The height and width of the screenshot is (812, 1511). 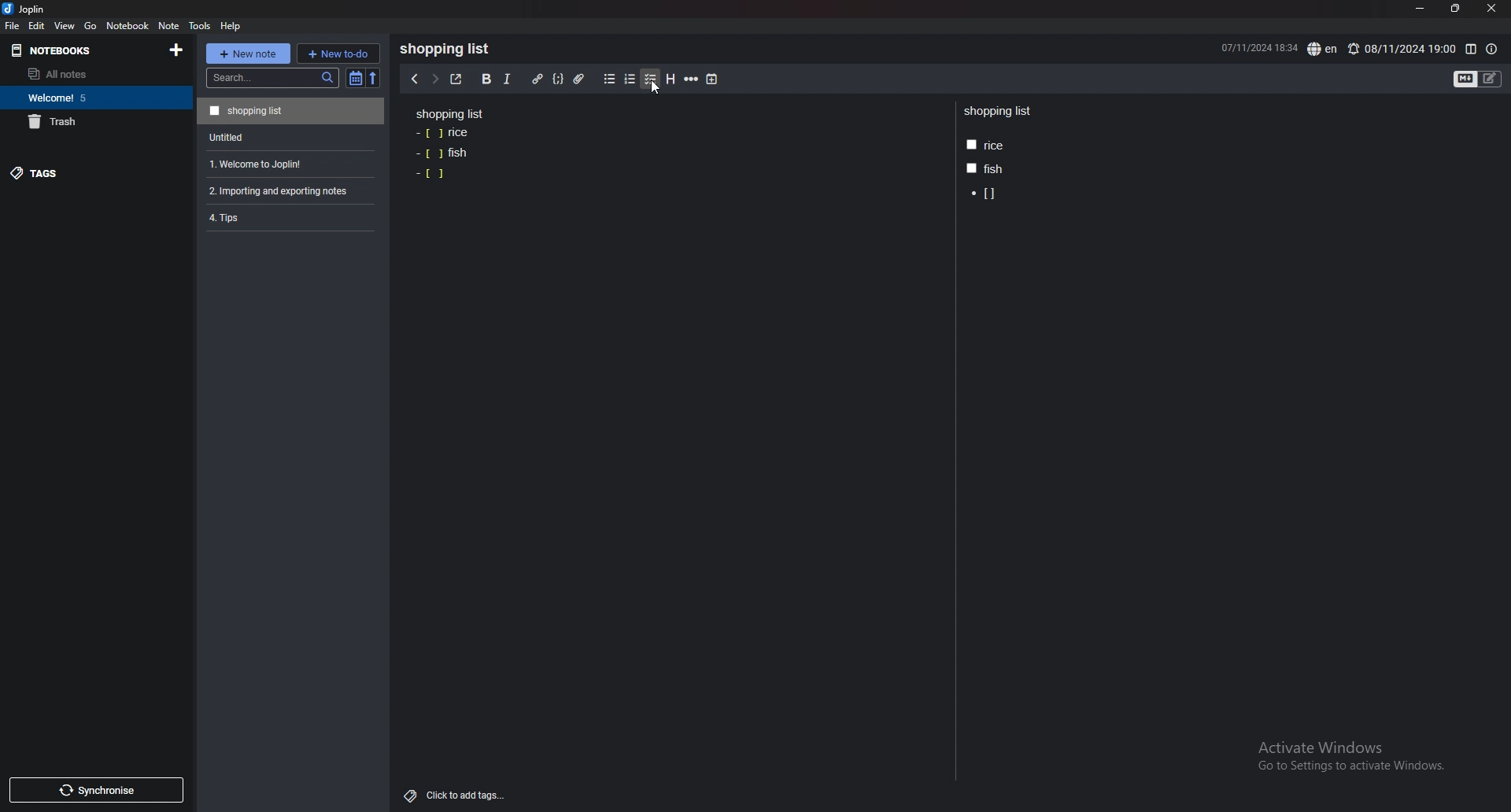 What do you see at coordinates (66, 25) in the screenshot?
I see `view` at bounding box center [66, 25].